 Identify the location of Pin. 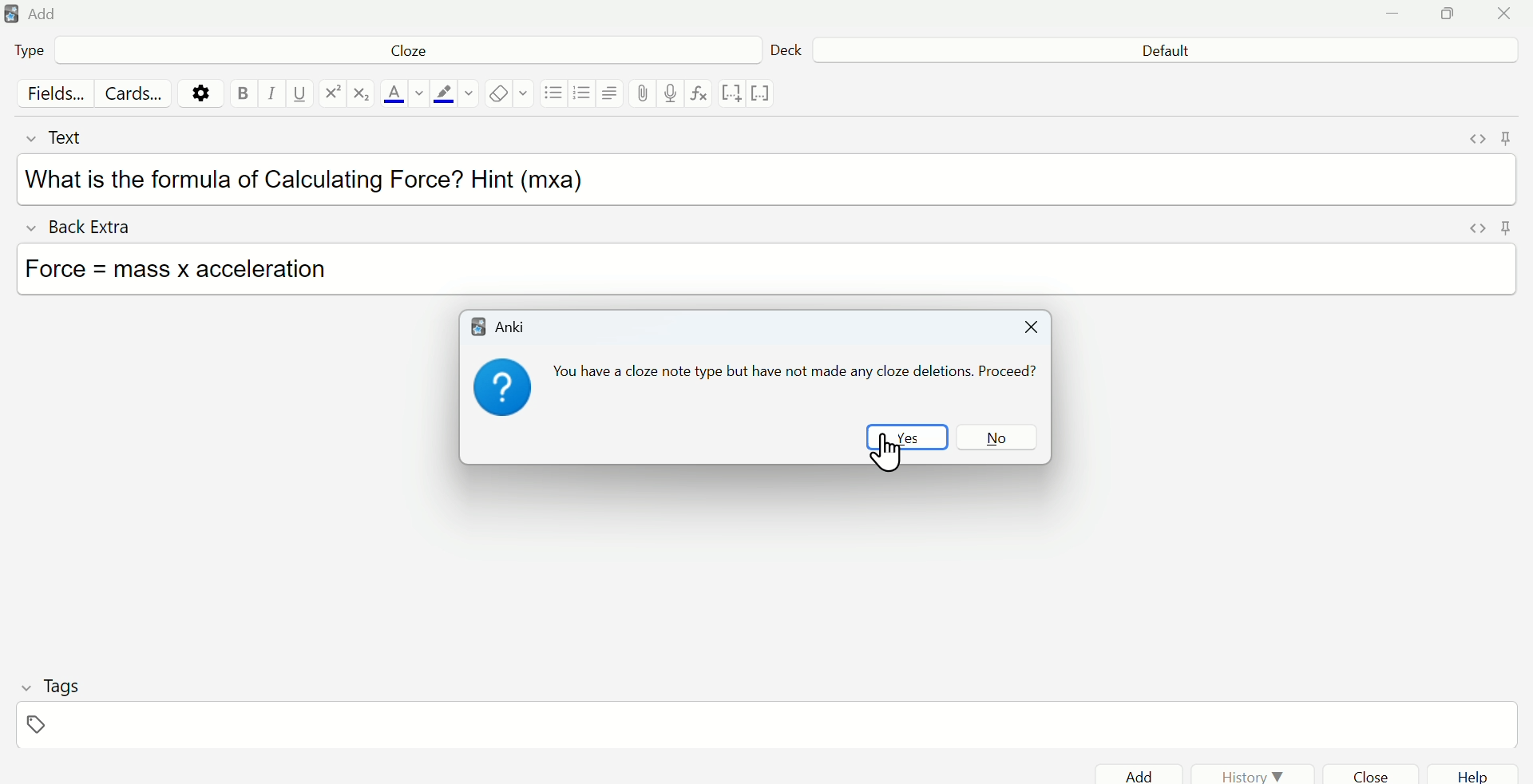
(1505, 137).